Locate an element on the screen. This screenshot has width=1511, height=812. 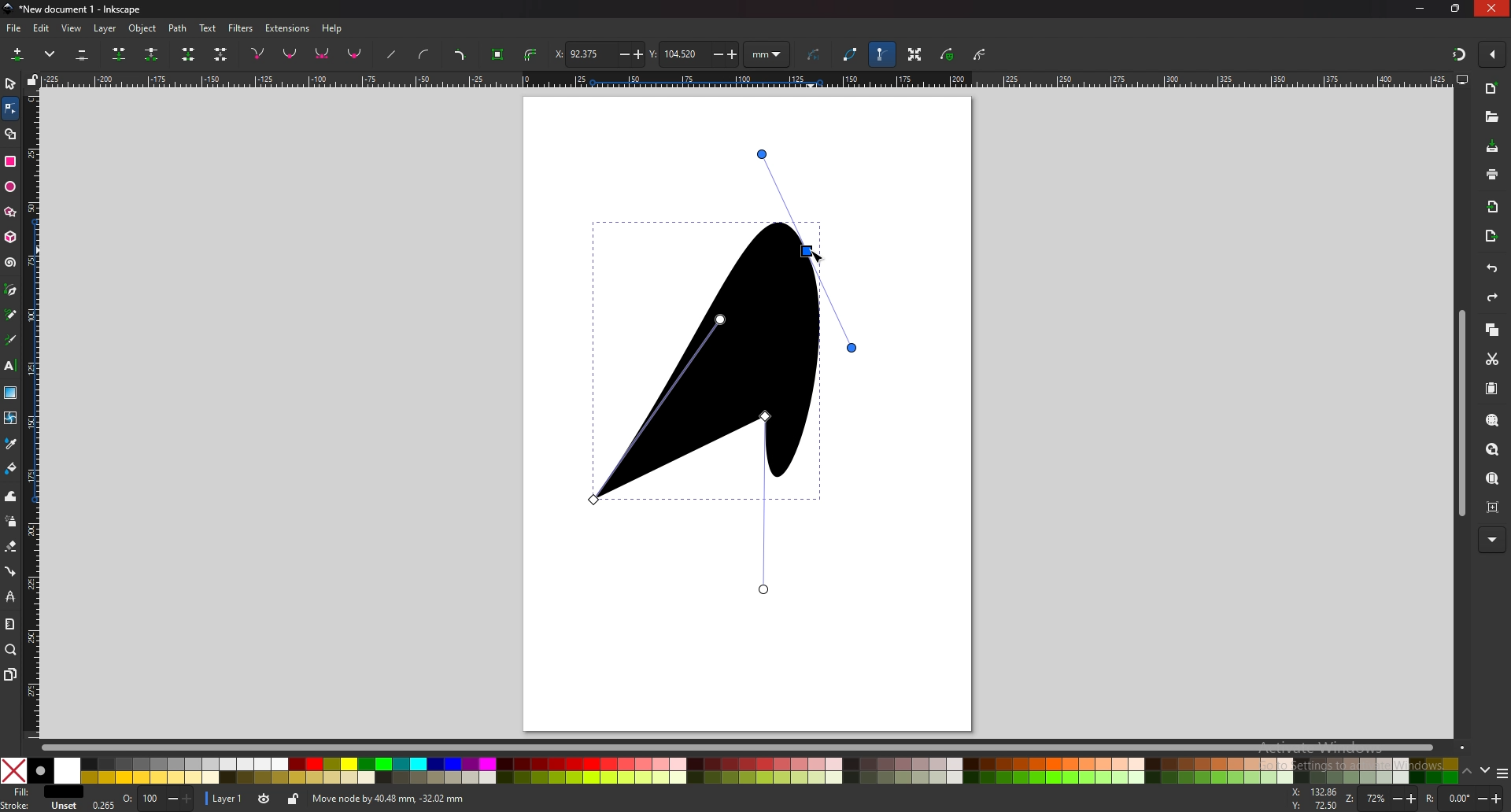
path outline is located at coordinates (849, 53).